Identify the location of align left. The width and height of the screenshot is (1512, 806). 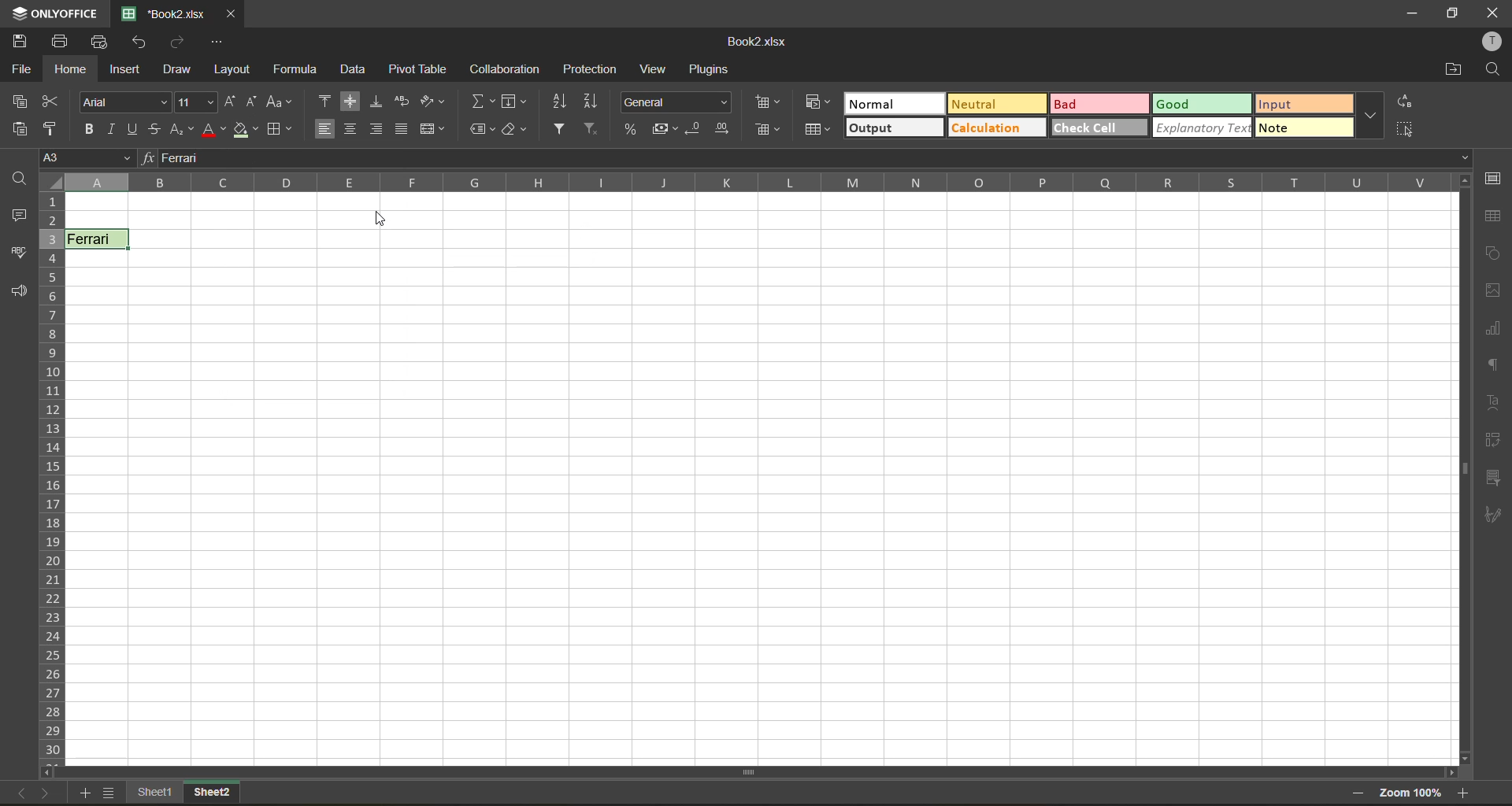
(325, 128).